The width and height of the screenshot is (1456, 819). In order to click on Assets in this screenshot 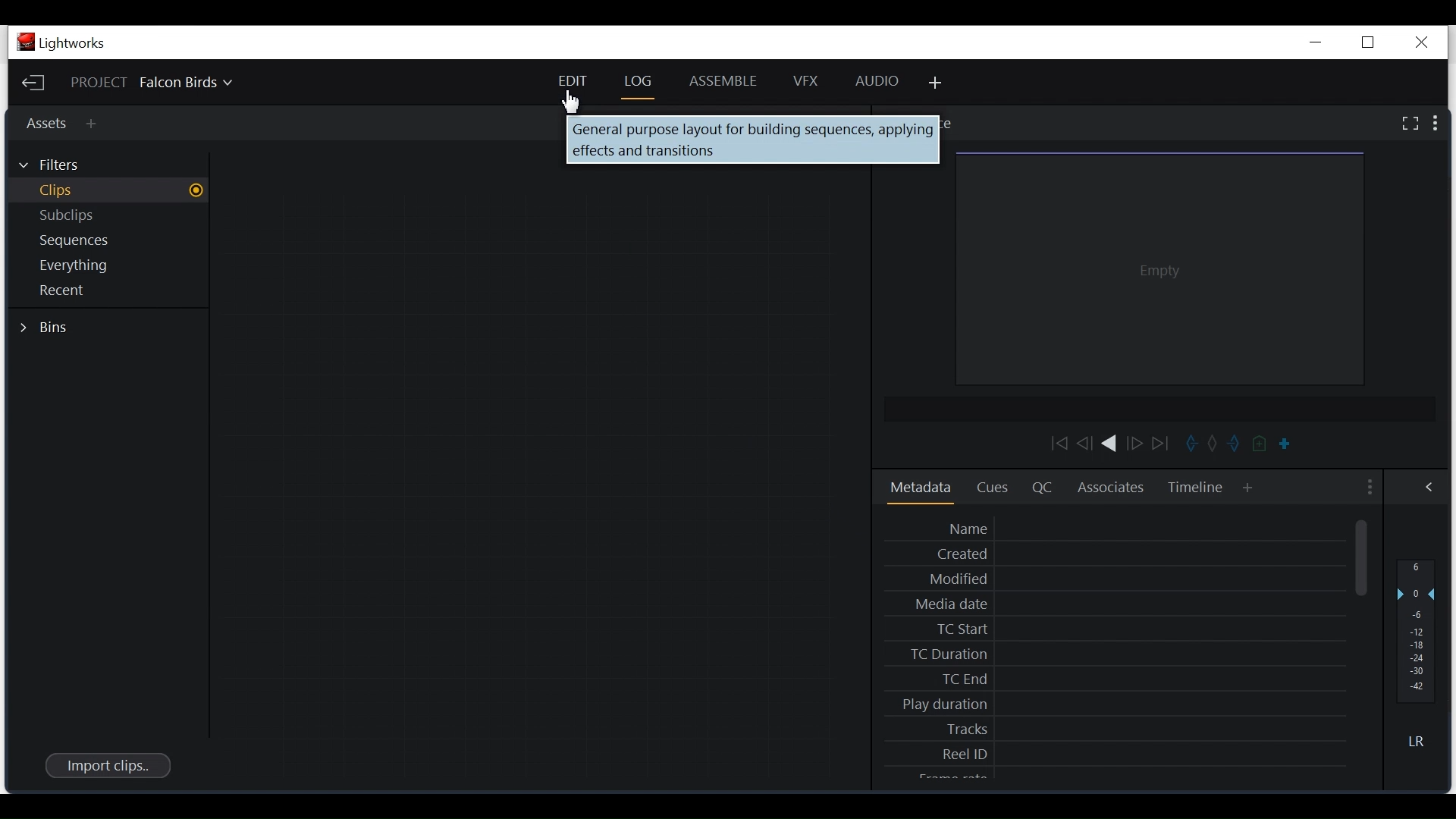, I will do `click(44, 122)`.